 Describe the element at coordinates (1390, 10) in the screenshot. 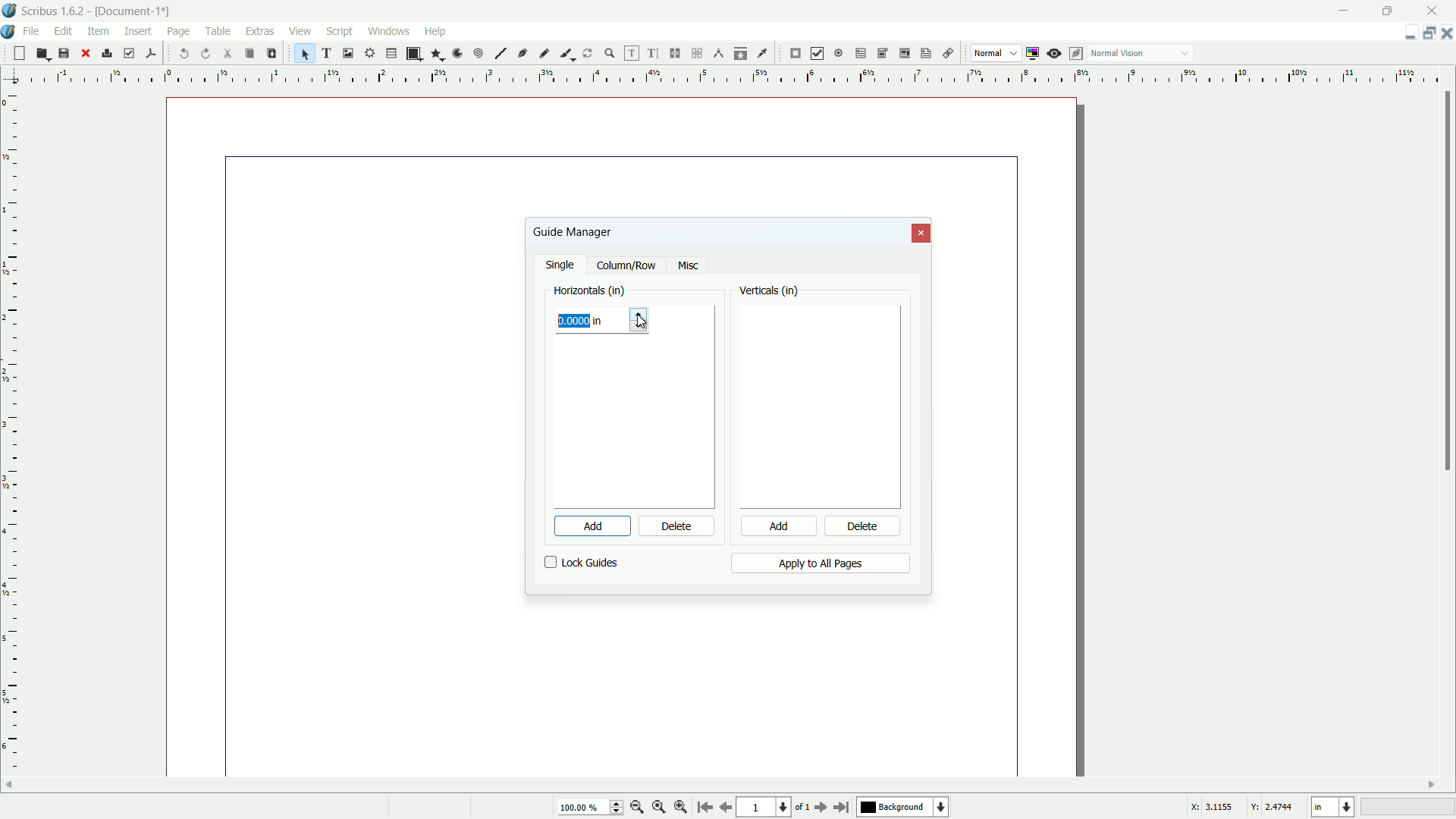

I see `maximize` at that location.